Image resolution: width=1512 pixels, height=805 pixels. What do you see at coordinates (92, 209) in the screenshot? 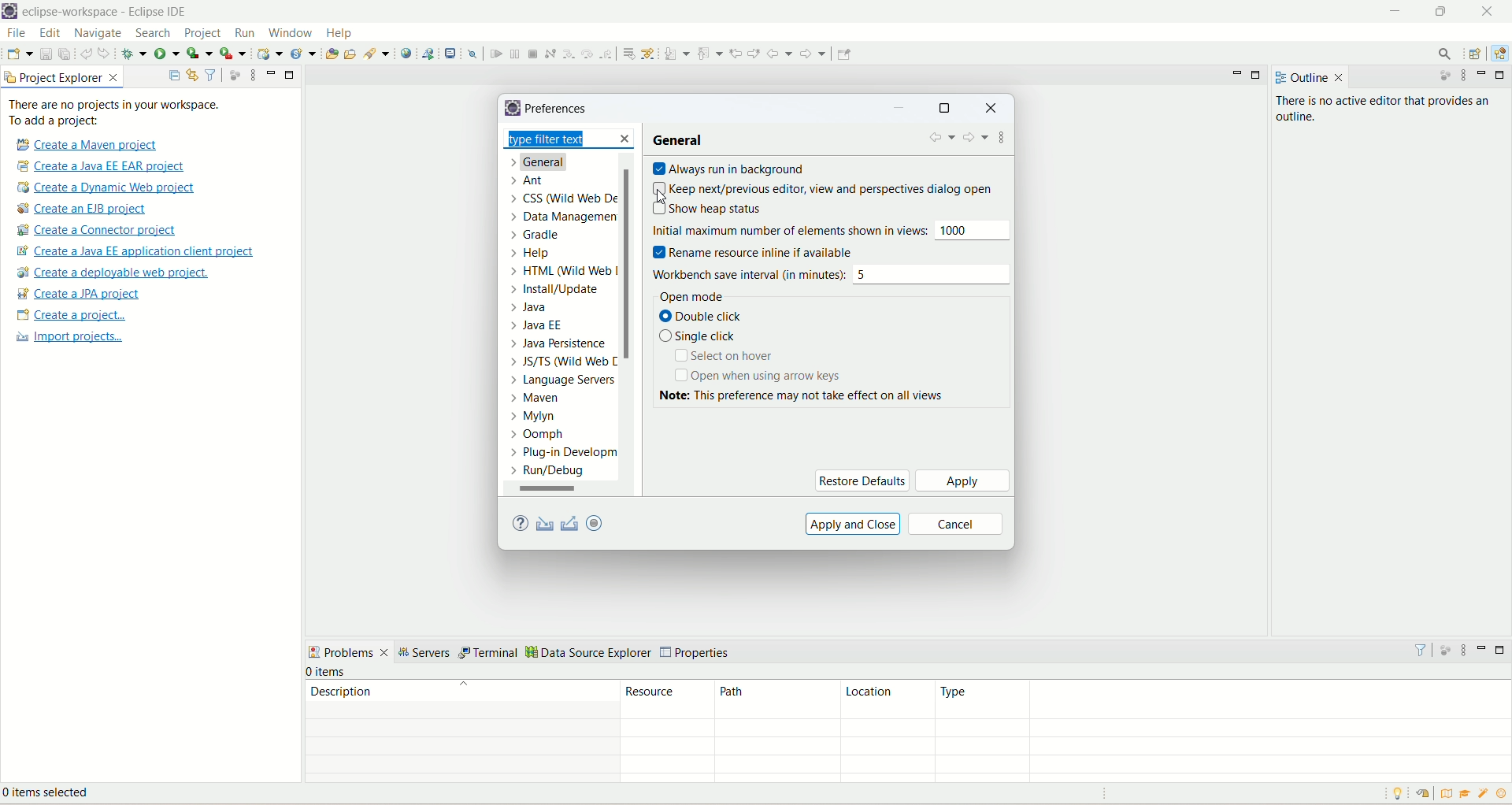
I see `create a EJB project` at bounding box center [92, 209].